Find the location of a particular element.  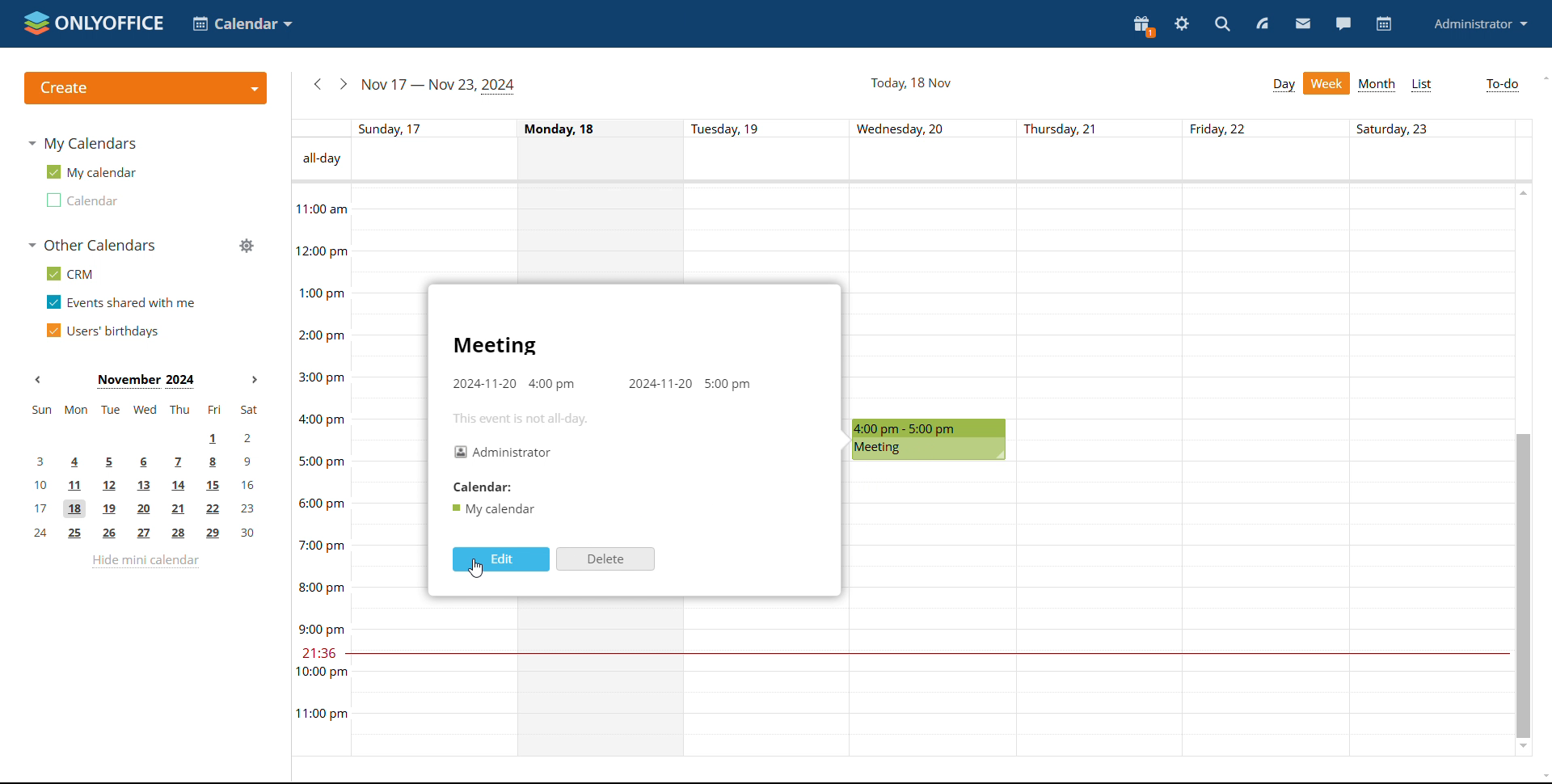

saturday is located at coordinates (1429, 470).